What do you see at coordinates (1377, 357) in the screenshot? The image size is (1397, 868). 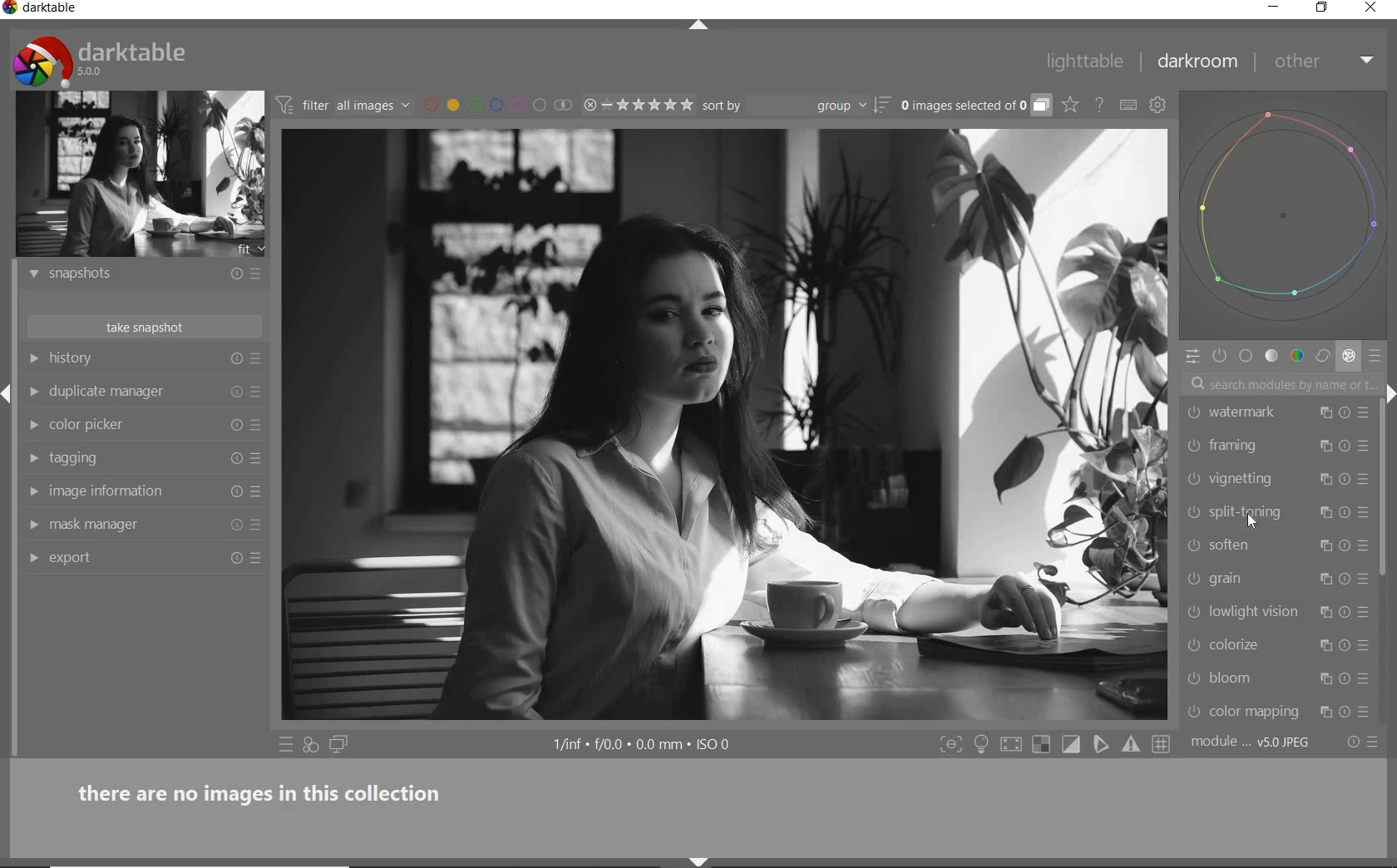 I see `presets` at bounding box center [1377, 357].